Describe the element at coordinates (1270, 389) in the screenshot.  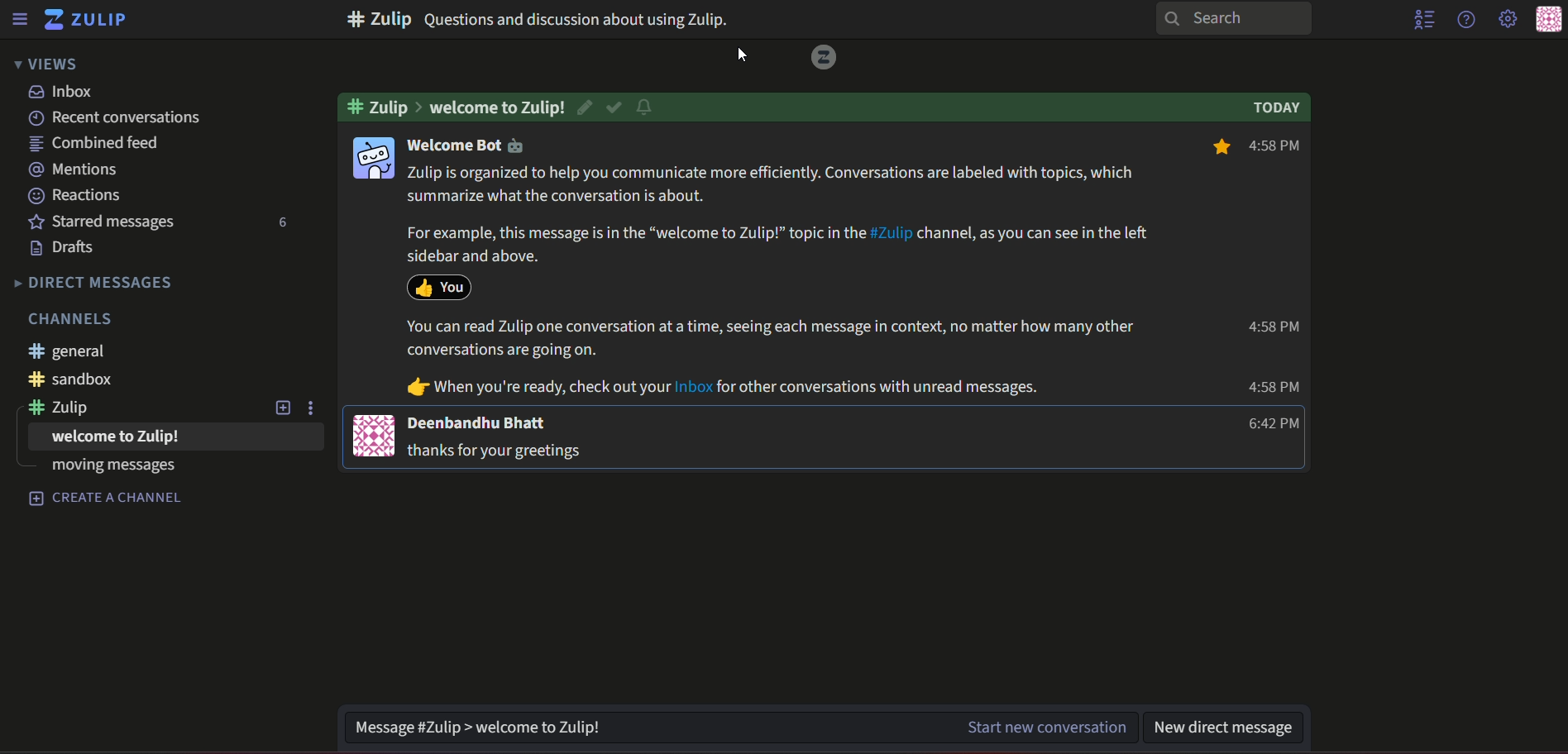
I see `4:58 PM` at that location.